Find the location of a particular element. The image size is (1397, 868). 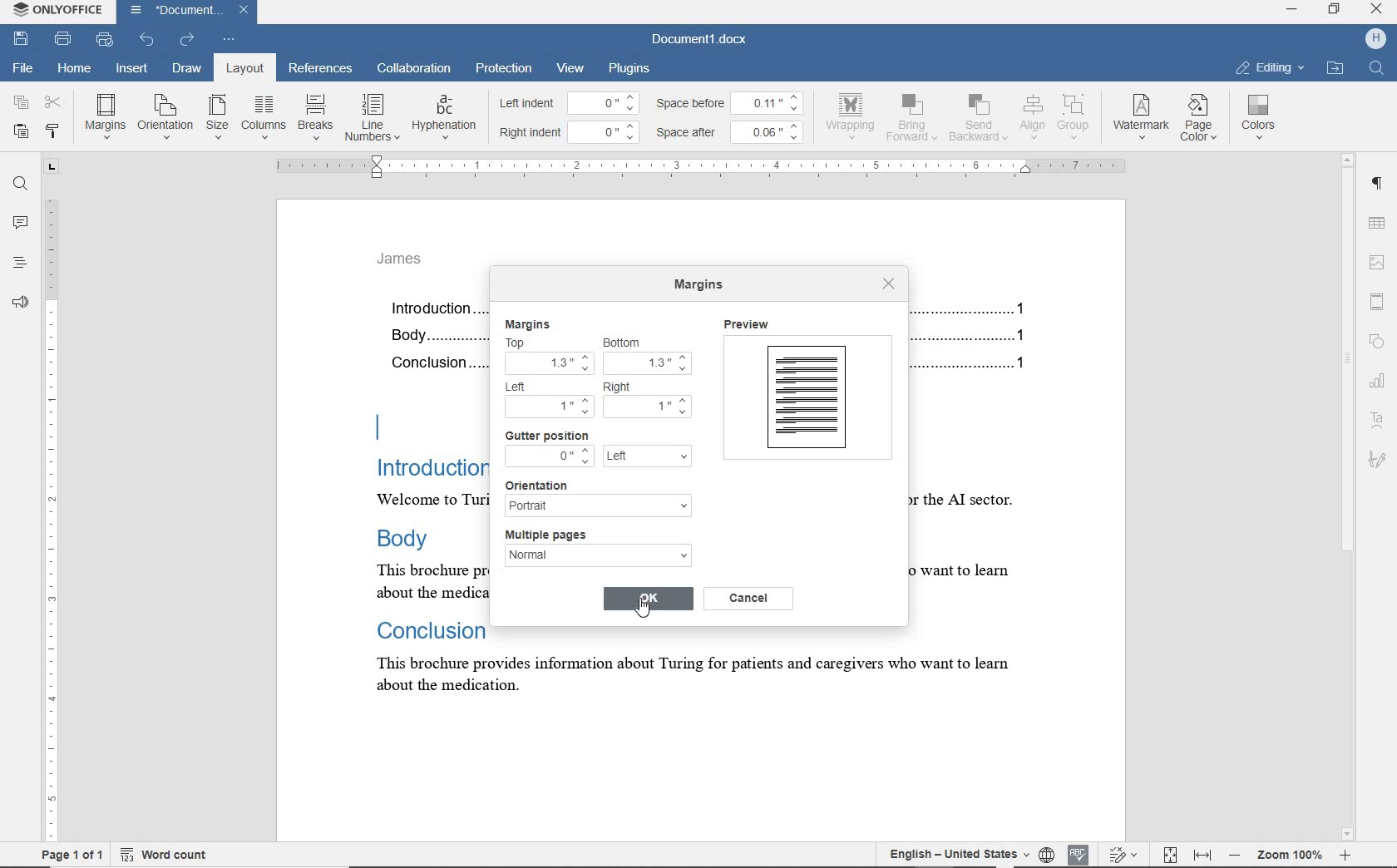

view is located at coordinates (570, 68).